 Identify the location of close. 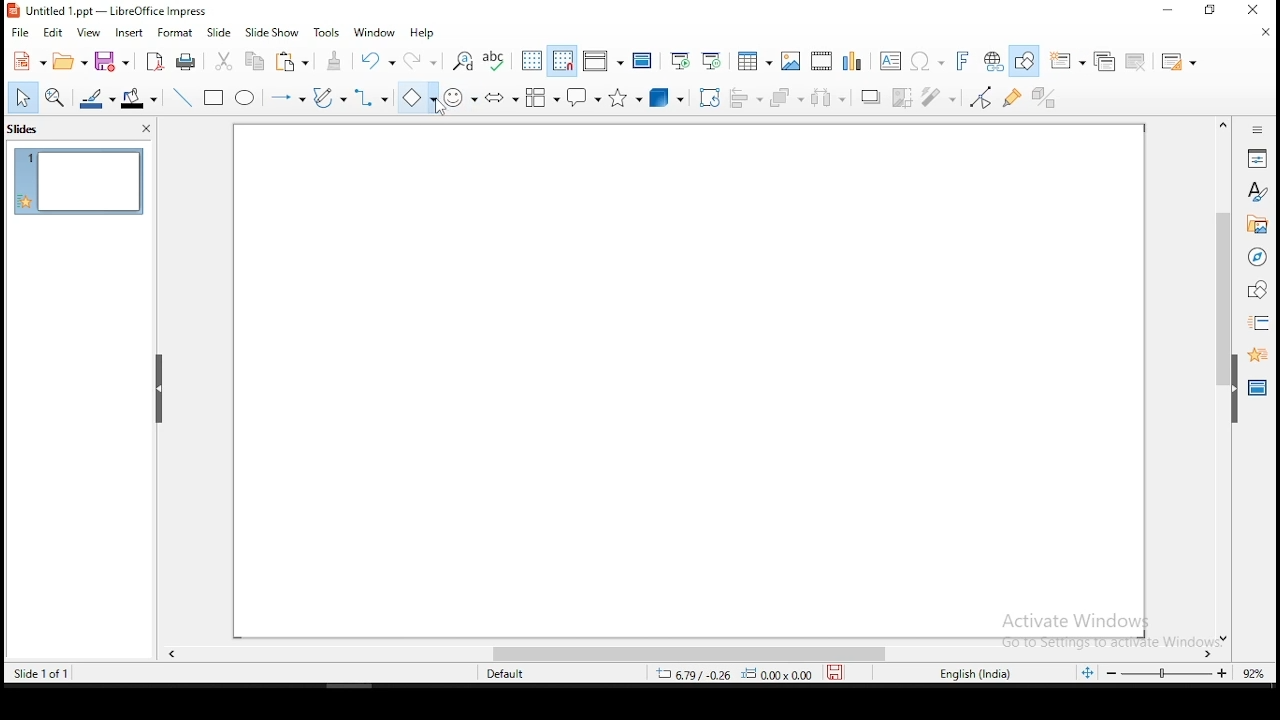
(1261, 8).